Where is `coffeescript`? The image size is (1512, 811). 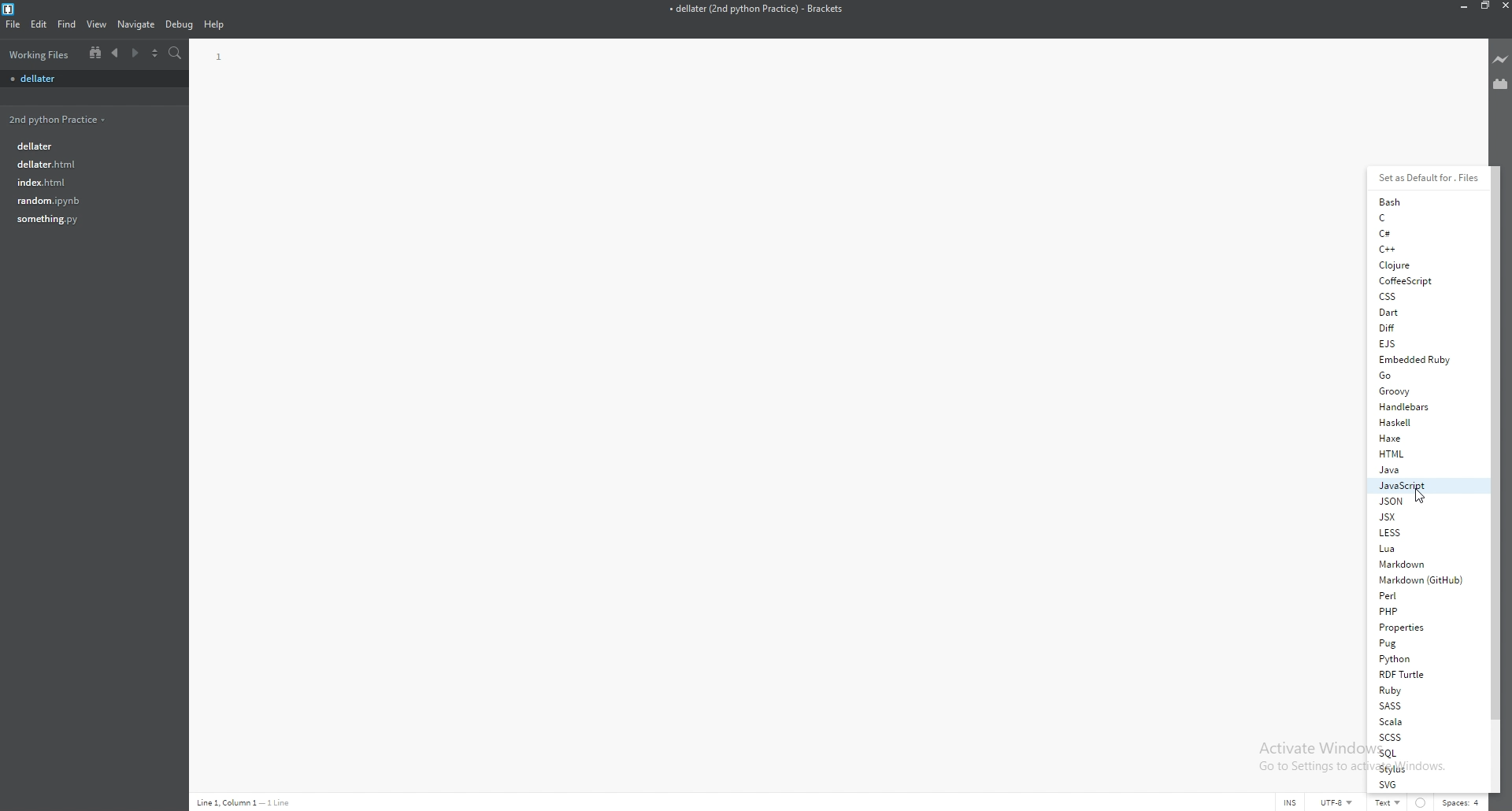 coffeescript is located at coordinates (1422, 280).